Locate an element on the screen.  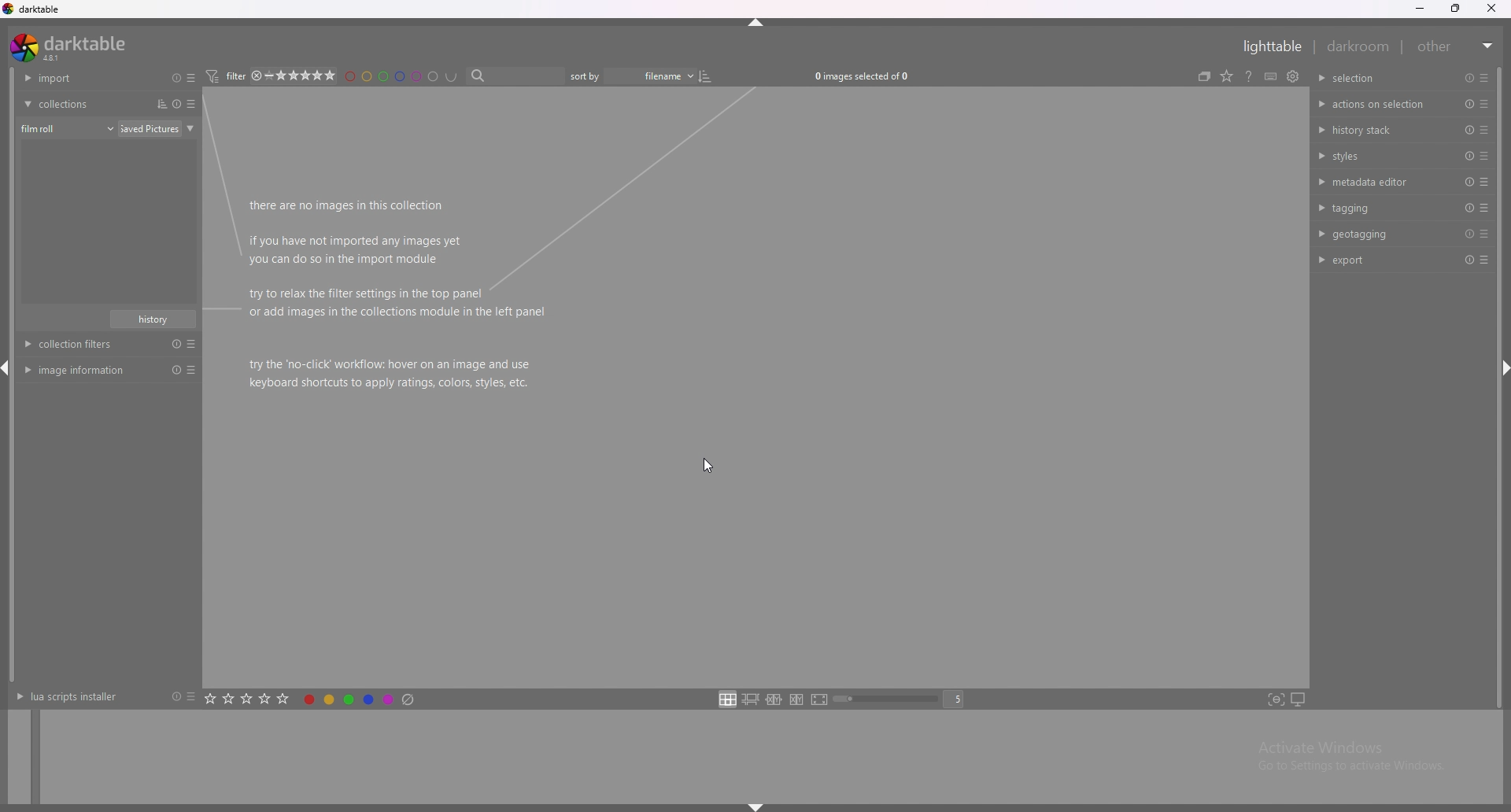
other is located at coordinates (1457, 46).